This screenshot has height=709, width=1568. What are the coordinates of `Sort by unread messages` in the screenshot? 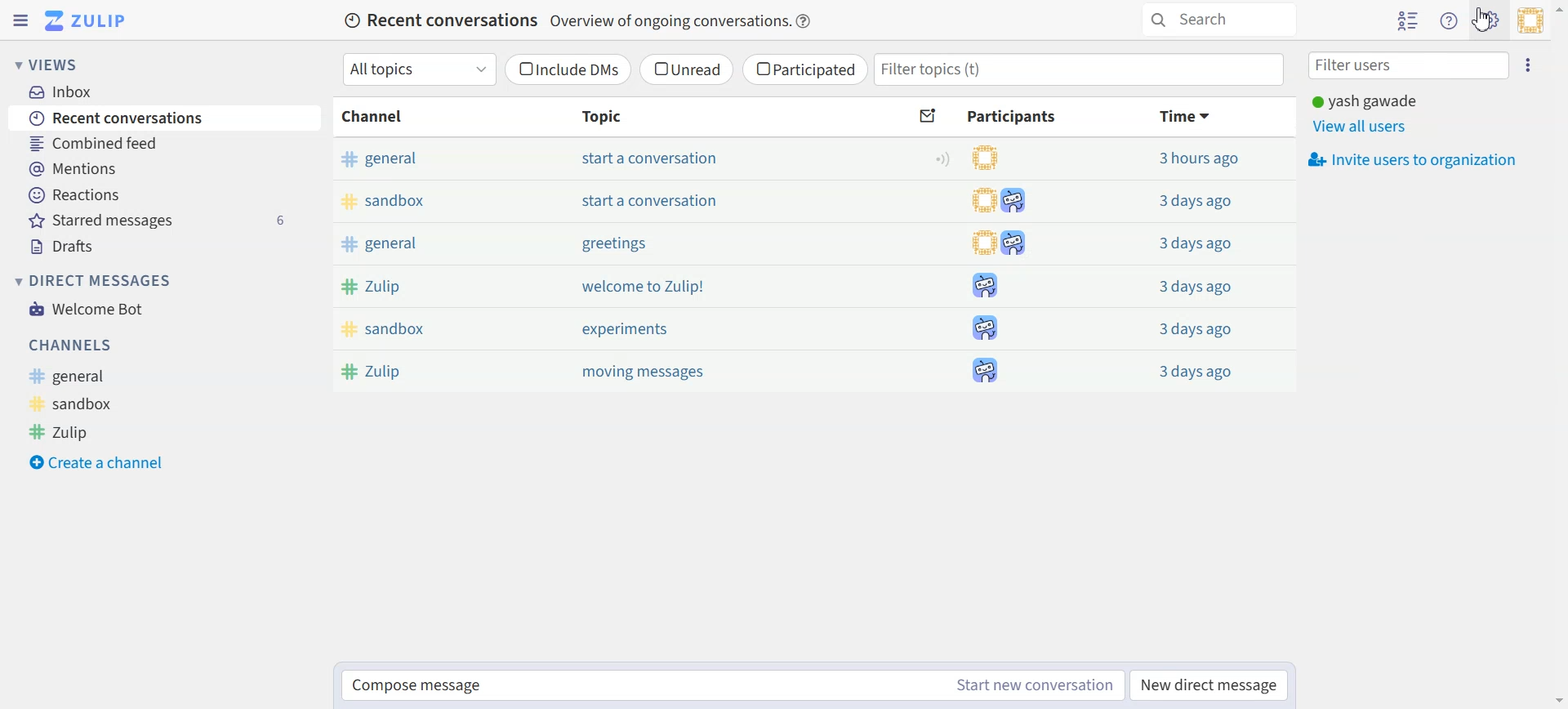 It's located at (928, 115).